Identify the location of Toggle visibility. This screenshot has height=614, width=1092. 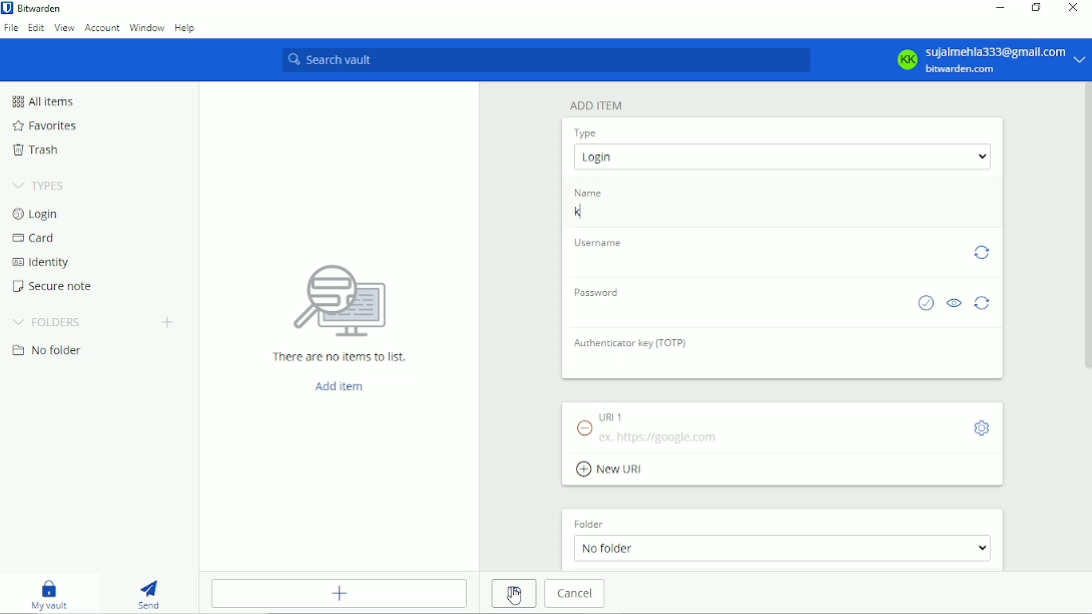
(954, 302).